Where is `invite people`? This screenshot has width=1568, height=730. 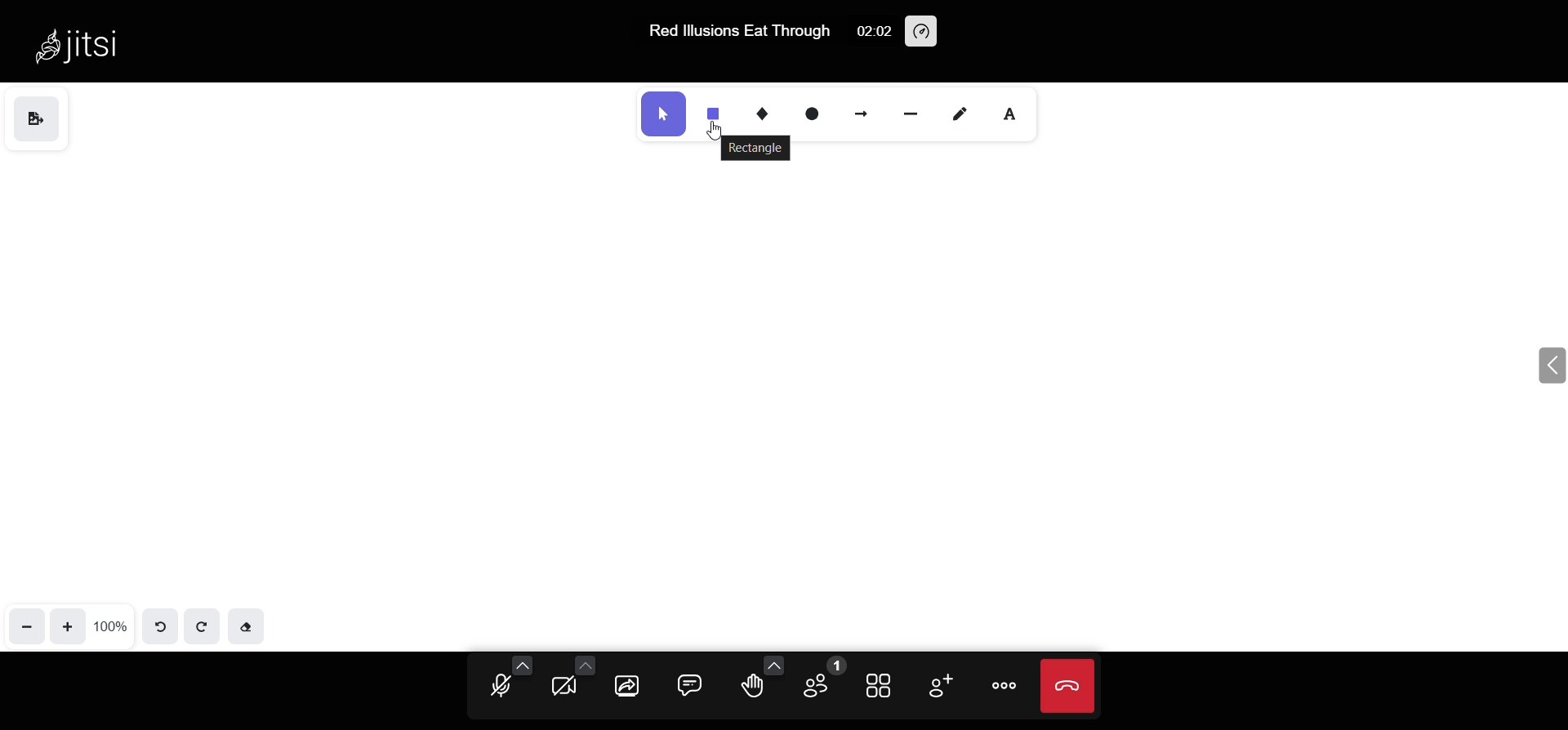
invite people is located at coordinates (938, 686).